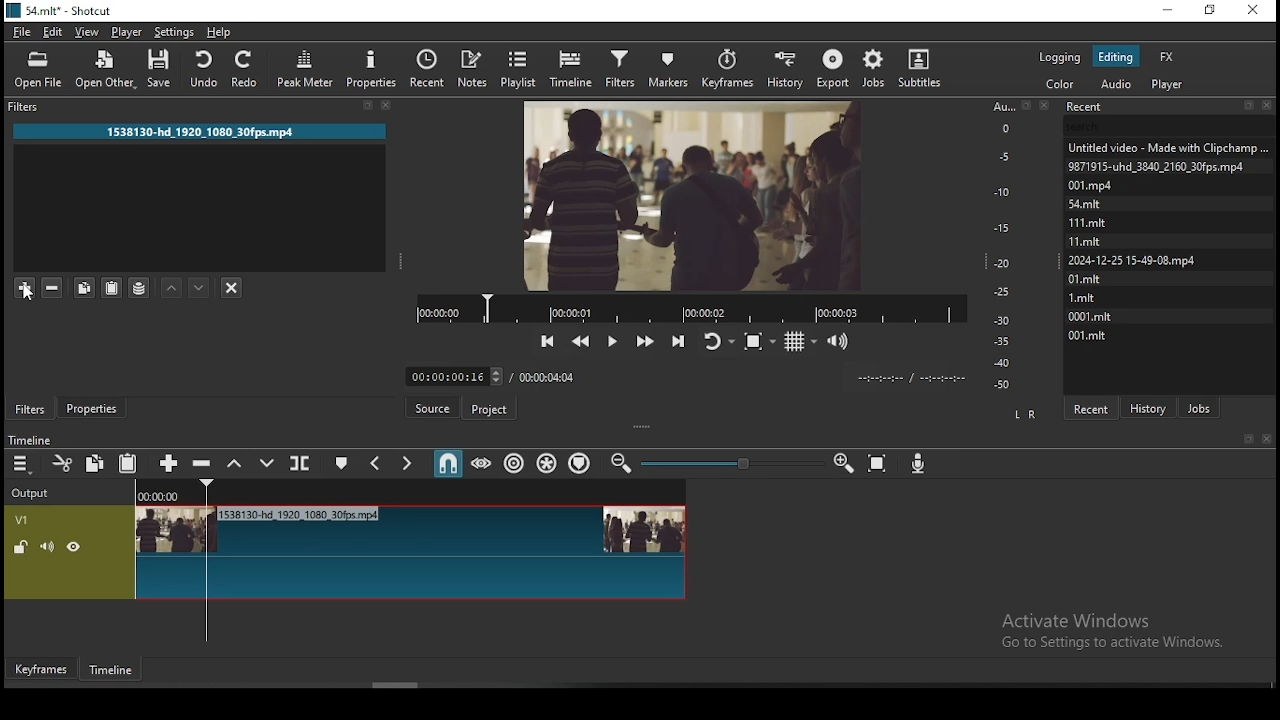 Image resolution: width=1280 pixels, height=720 pixels. I want to click on zoom timeline to fit, so click(879, 464).